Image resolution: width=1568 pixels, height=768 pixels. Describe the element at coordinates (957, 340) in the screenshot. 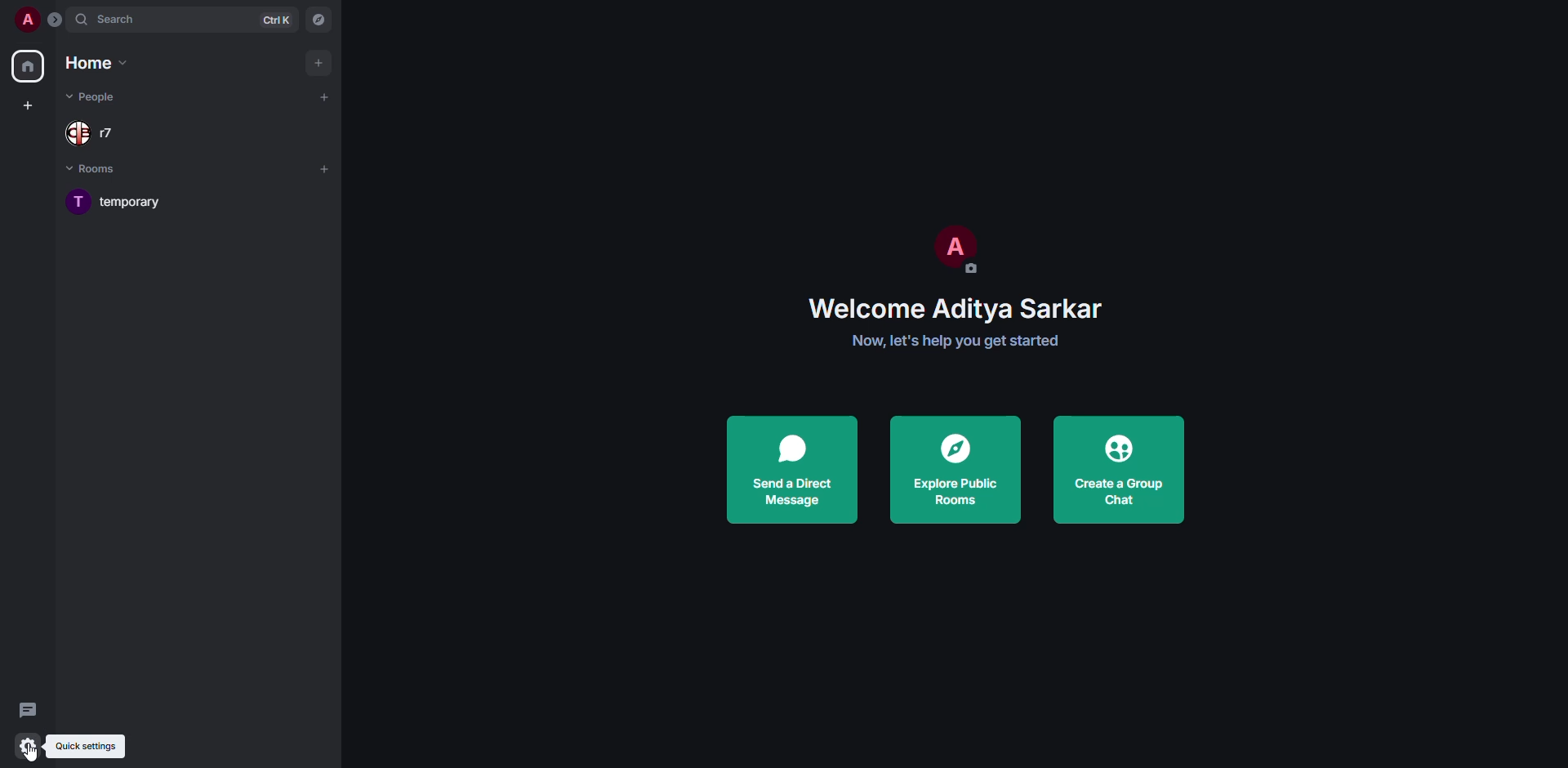

I see `get started` at that location.